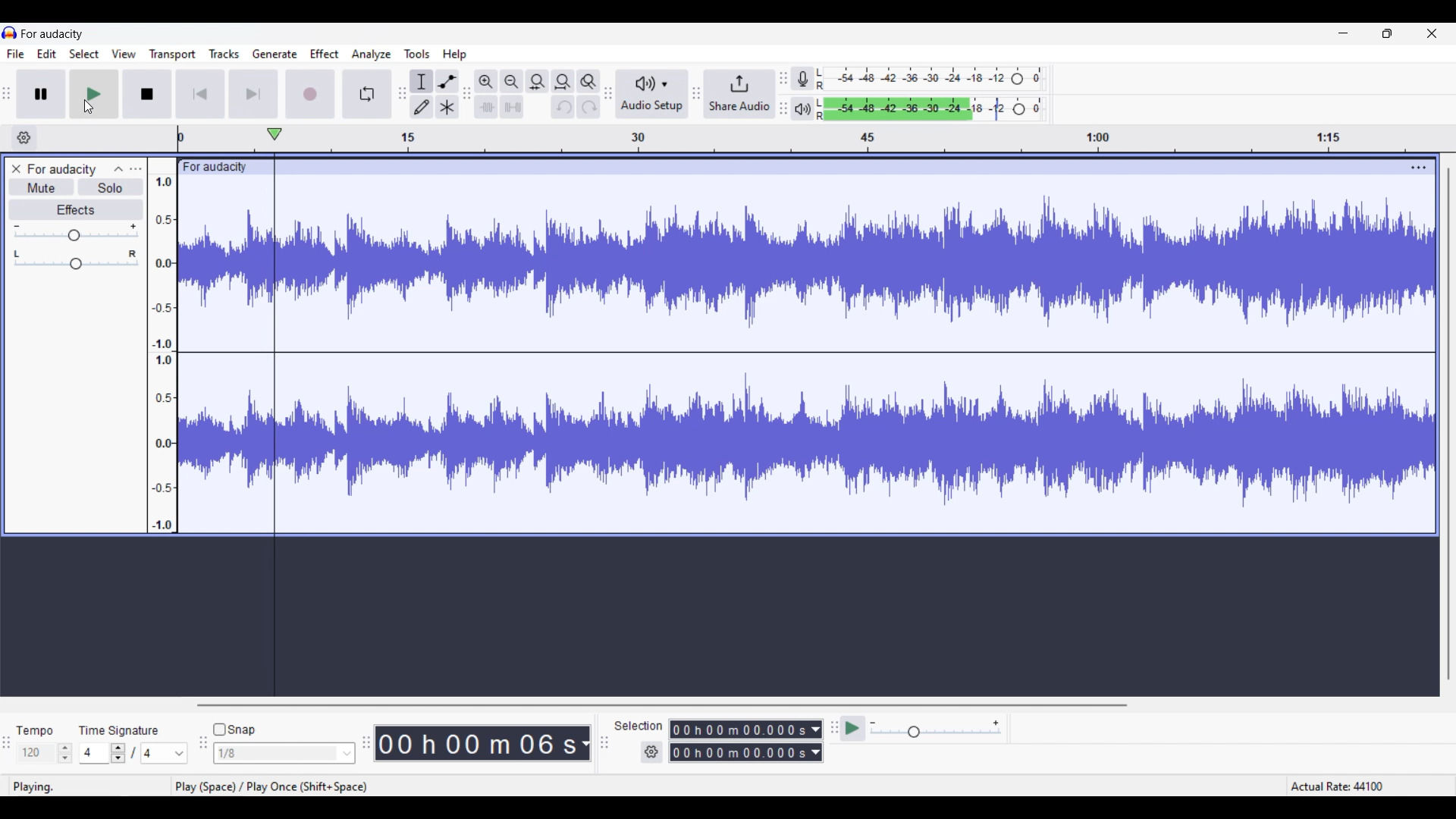 This screenshot has width=1456, height=819. I want to click on Snap options, so click(285, 753).